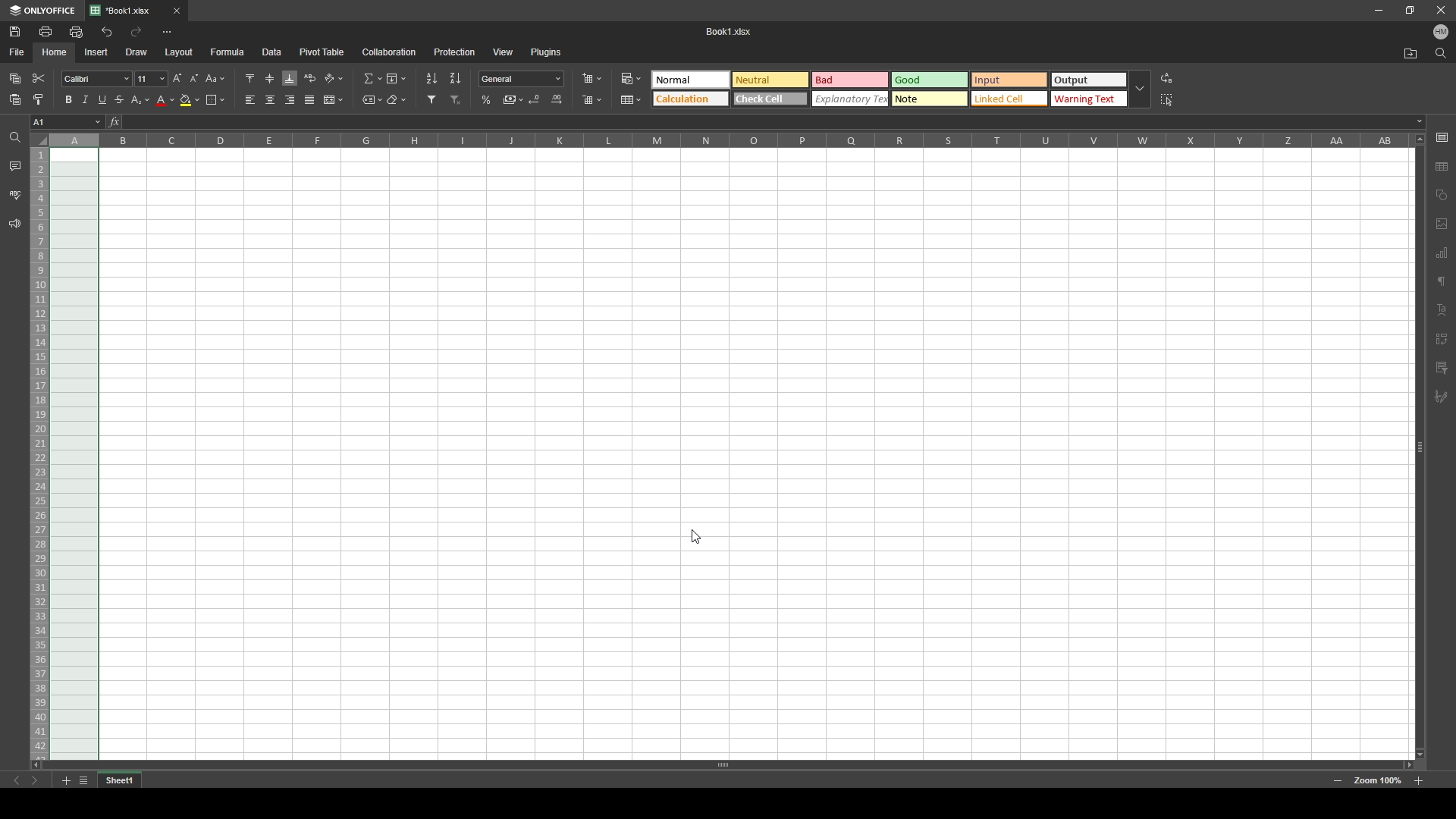 Image resolution: width=1456 pixels, height=819 pixels. What do you see at coordinates (15, 78) in the screenshot?
I see `copy` at bounding box center [15, 78].